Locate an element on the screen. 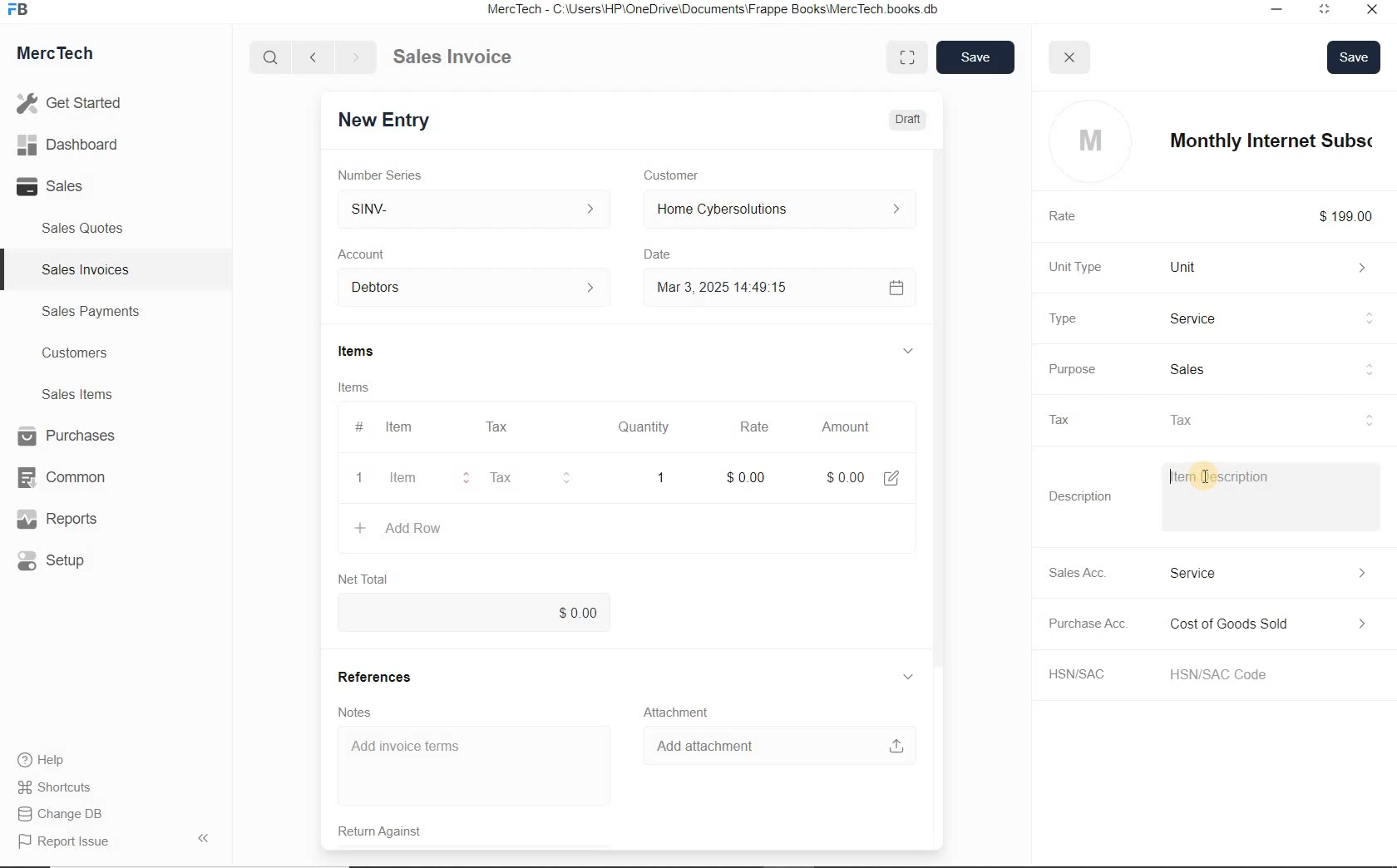 This screenshot has height=868, width=1397. Item Description is located at coordinates (1224, 477).